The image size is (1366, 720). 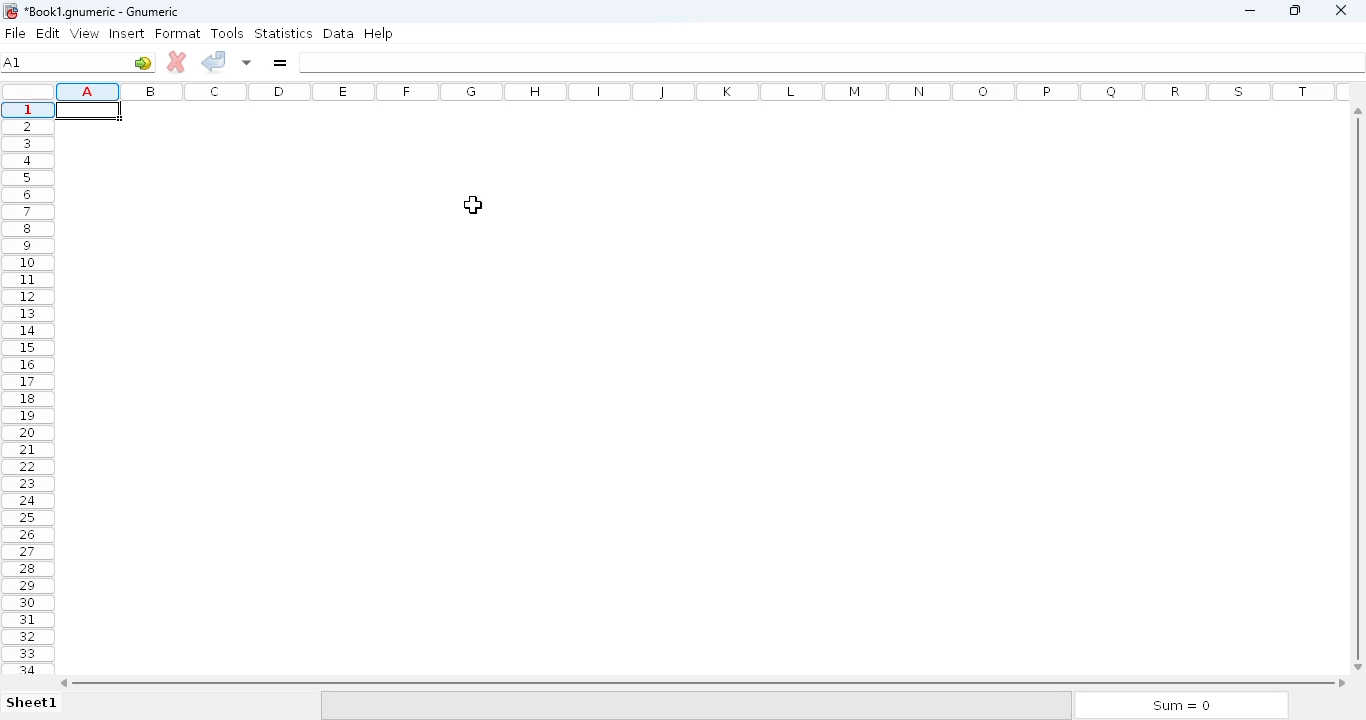 I want to click on help, so click(x=378, y=33).